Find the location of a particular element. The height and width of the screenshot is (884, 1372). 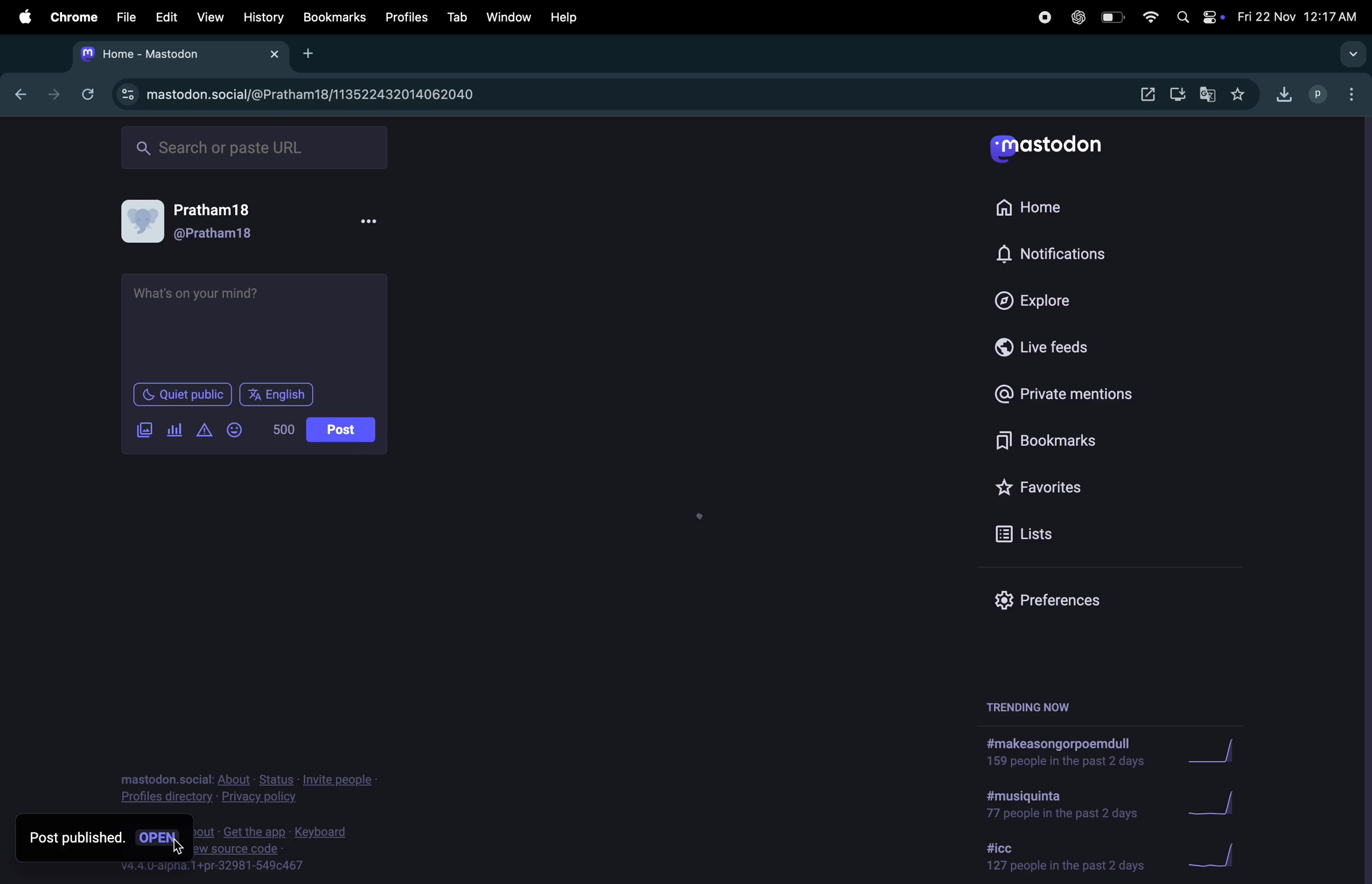

text box is located at coordinates (252, 320).